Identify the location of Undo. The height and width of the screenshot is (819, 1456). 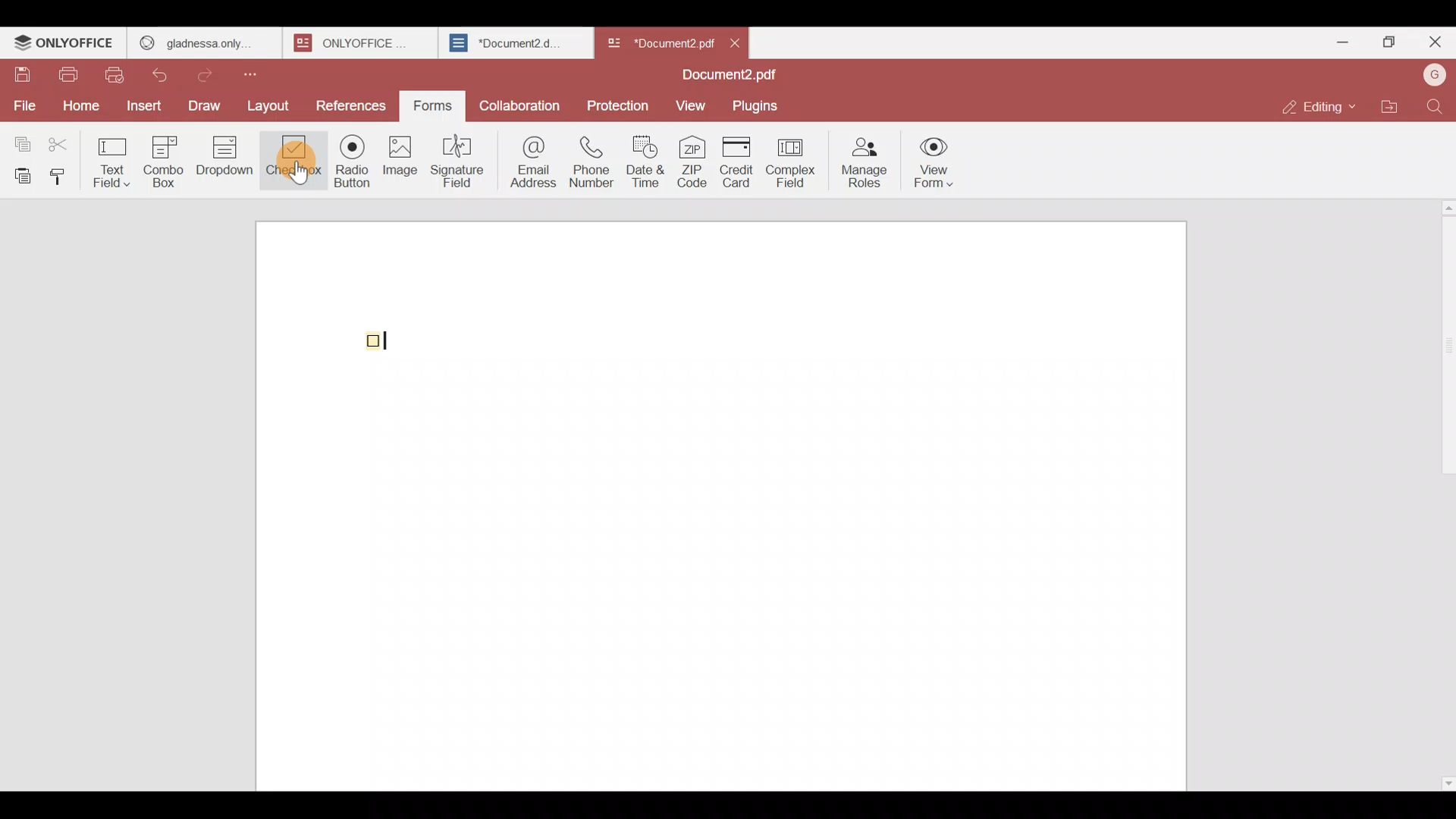
(167, 72).